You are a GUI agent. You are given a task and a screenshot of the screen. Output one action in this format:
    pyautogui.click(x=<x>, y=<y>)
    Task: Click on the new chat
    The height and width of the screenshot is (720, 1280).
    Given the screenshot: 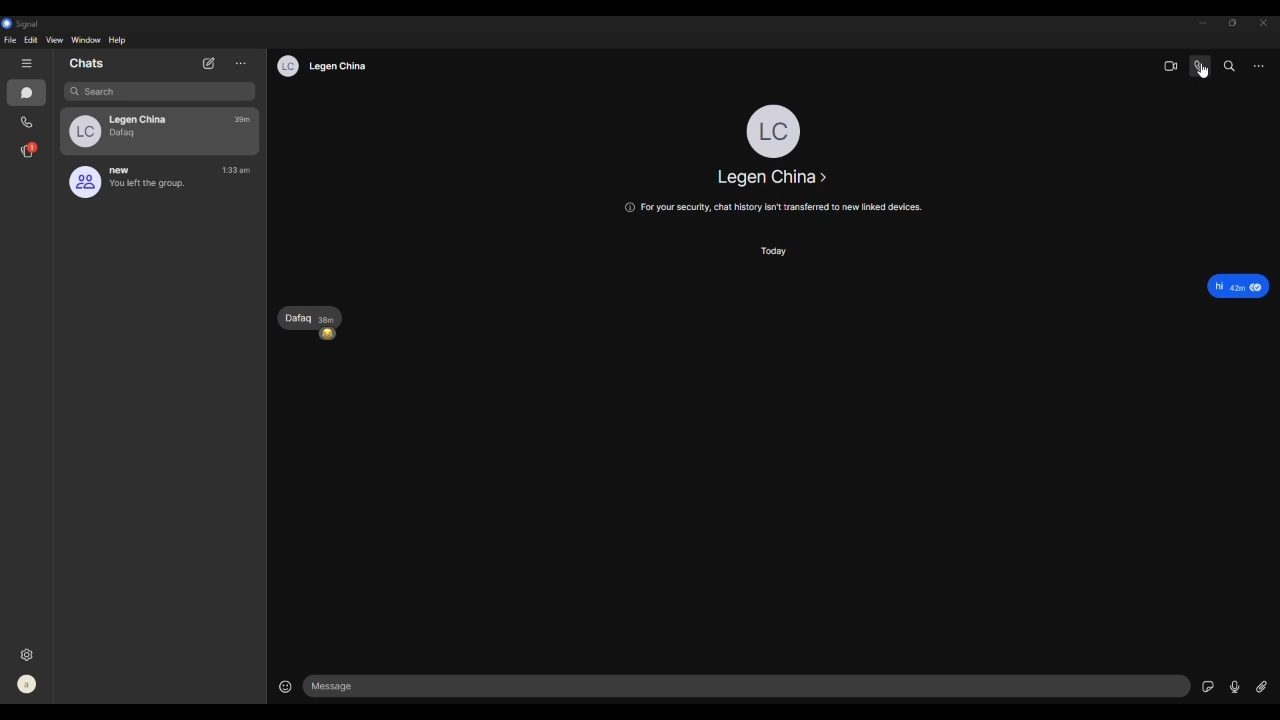 What is the action you would take?
    pyautogui.click(x=208, y=62)
    